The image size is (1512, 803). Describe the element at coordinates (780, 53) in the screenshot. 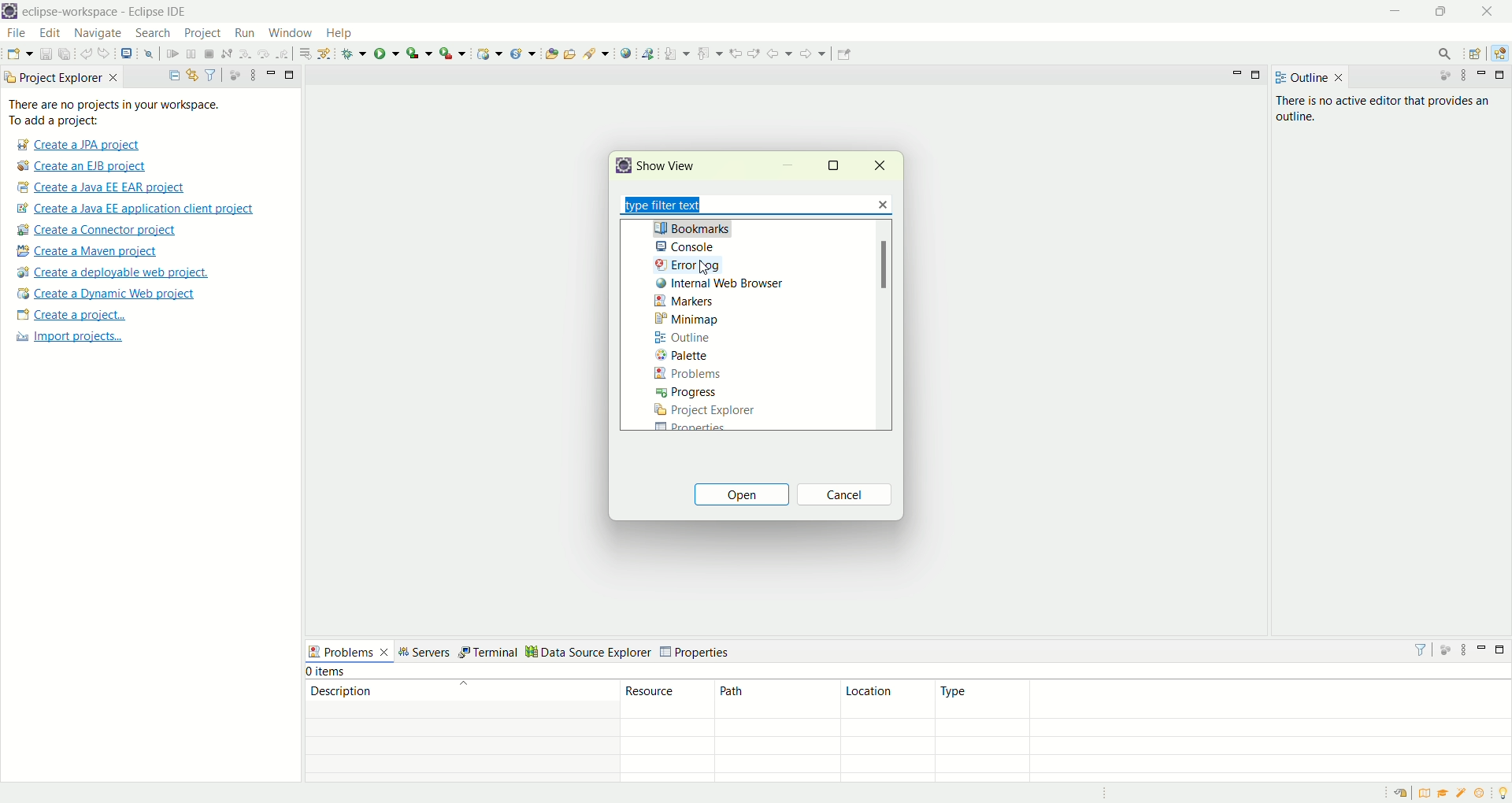

I see `back` at that location.